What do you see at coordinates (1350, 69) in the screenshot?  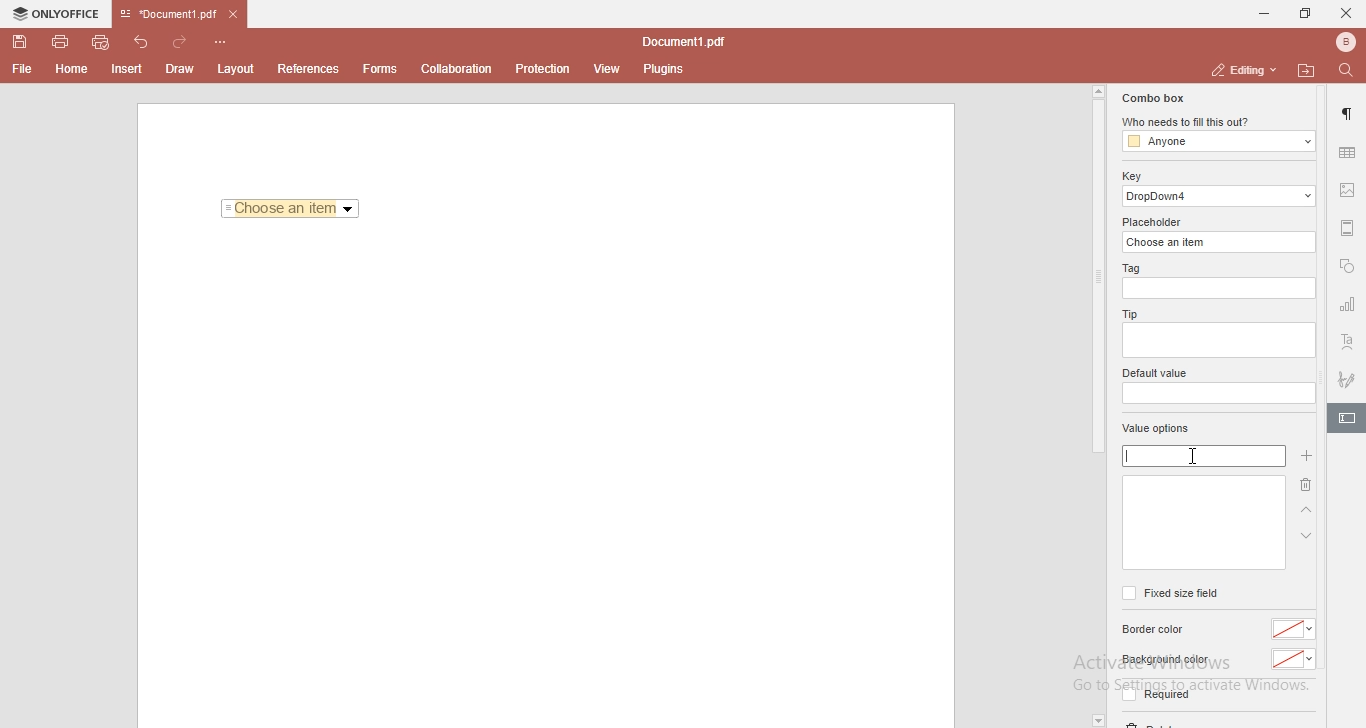 I see `find` at bounding box center [1350, 69].